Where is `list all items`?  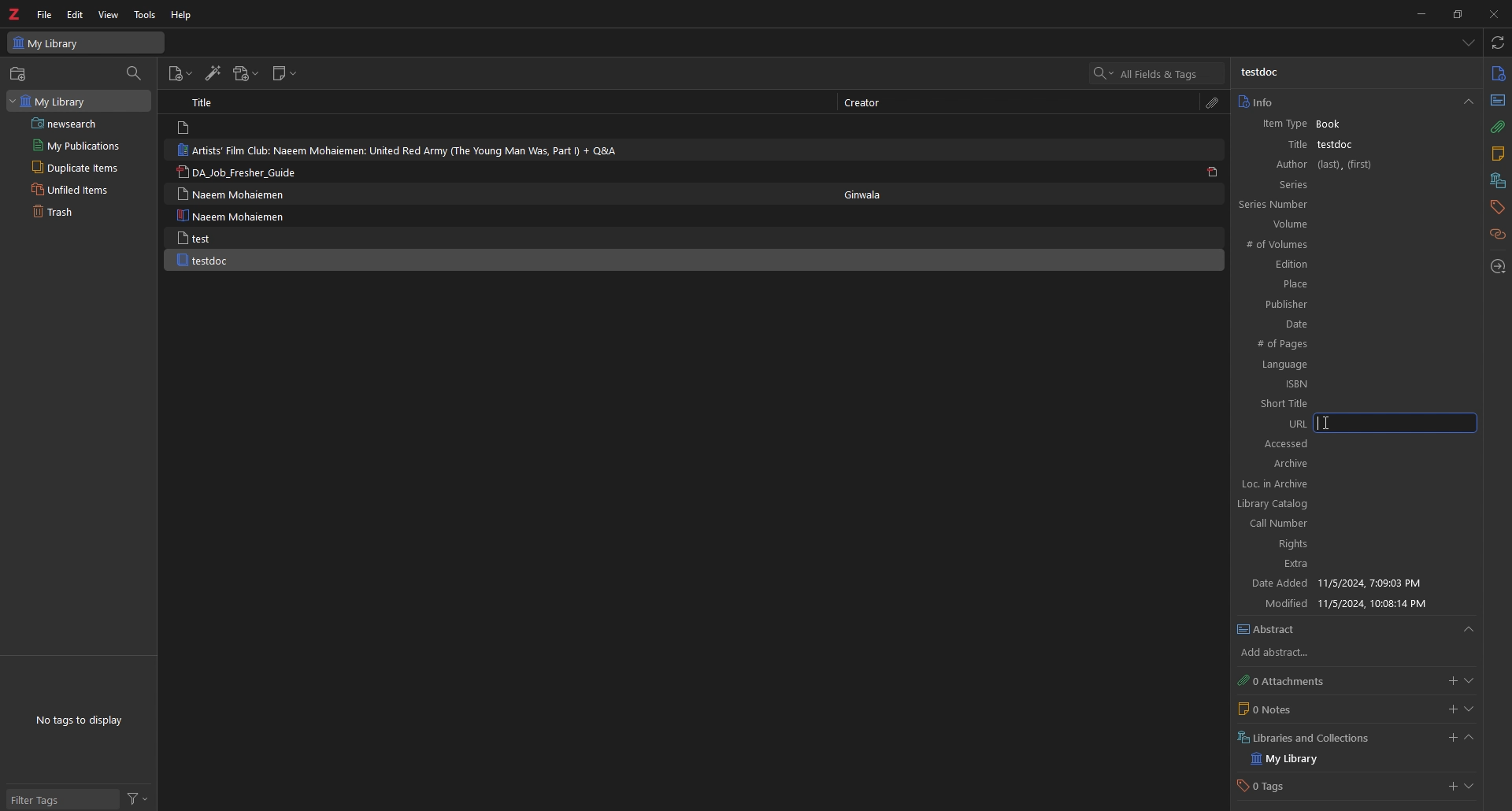 list all items is located at coordinates (1466, 42).